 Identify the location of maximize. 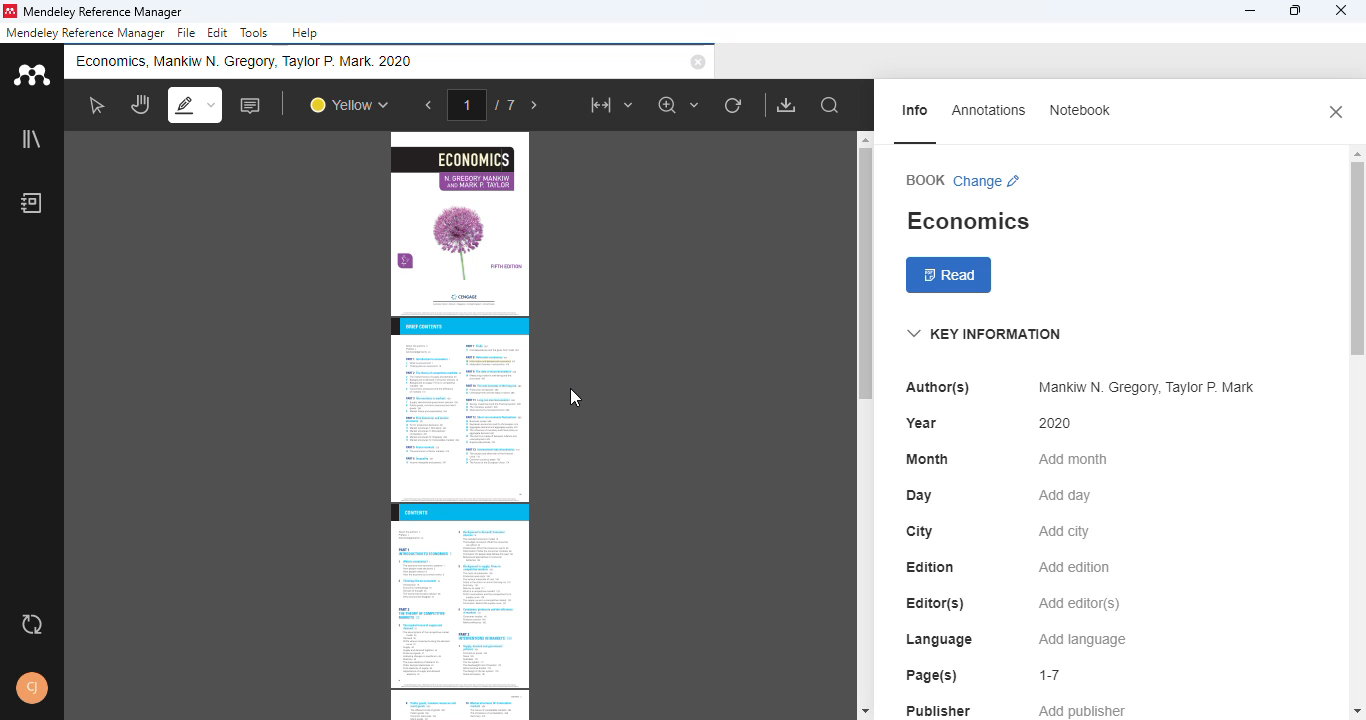
(1295, 11).